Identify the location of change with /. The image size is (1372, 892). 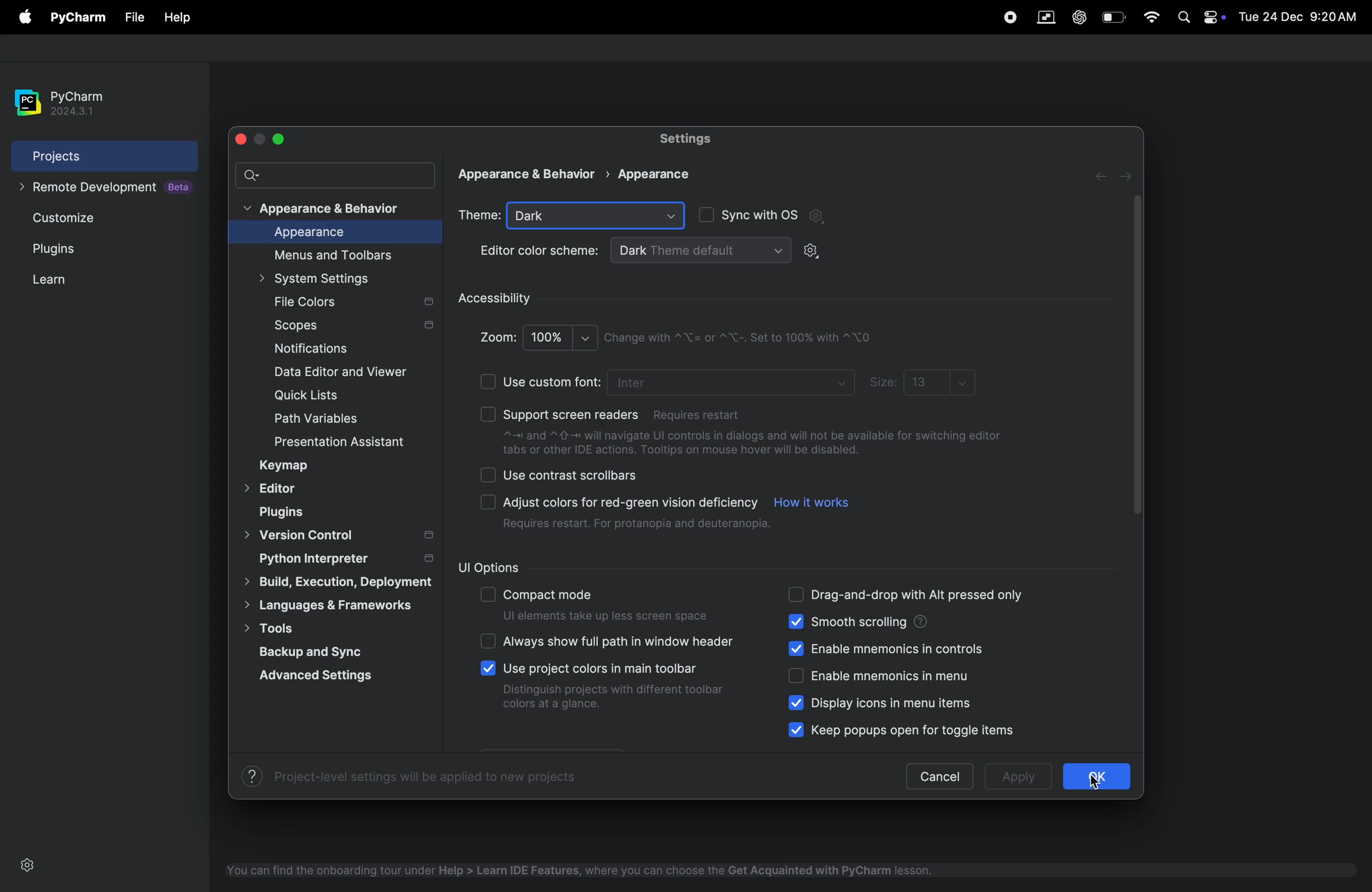
(742, 337).